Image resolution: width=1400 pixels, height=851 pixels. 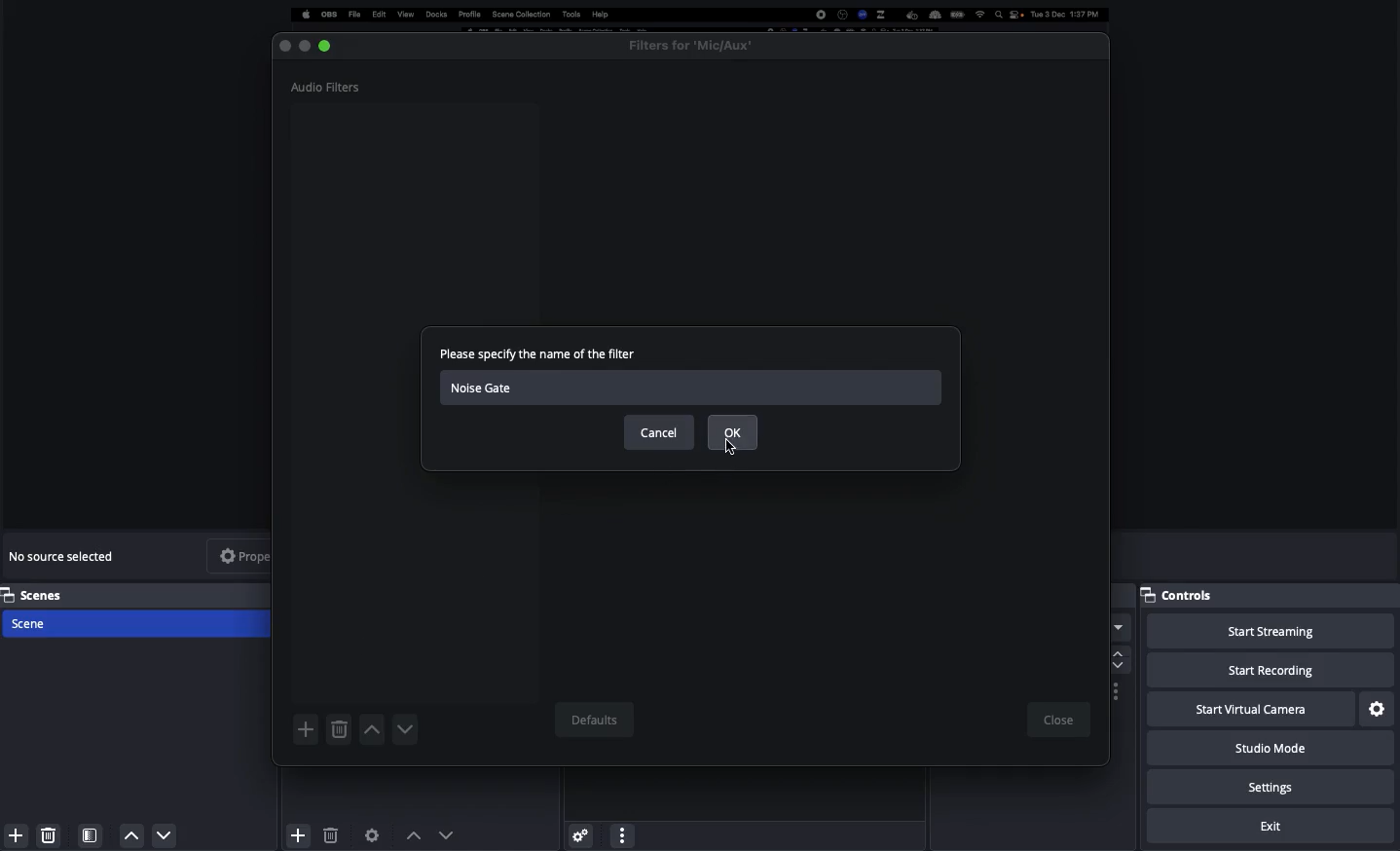 I want to click on Studio mode, so click(x=1268, y=752).